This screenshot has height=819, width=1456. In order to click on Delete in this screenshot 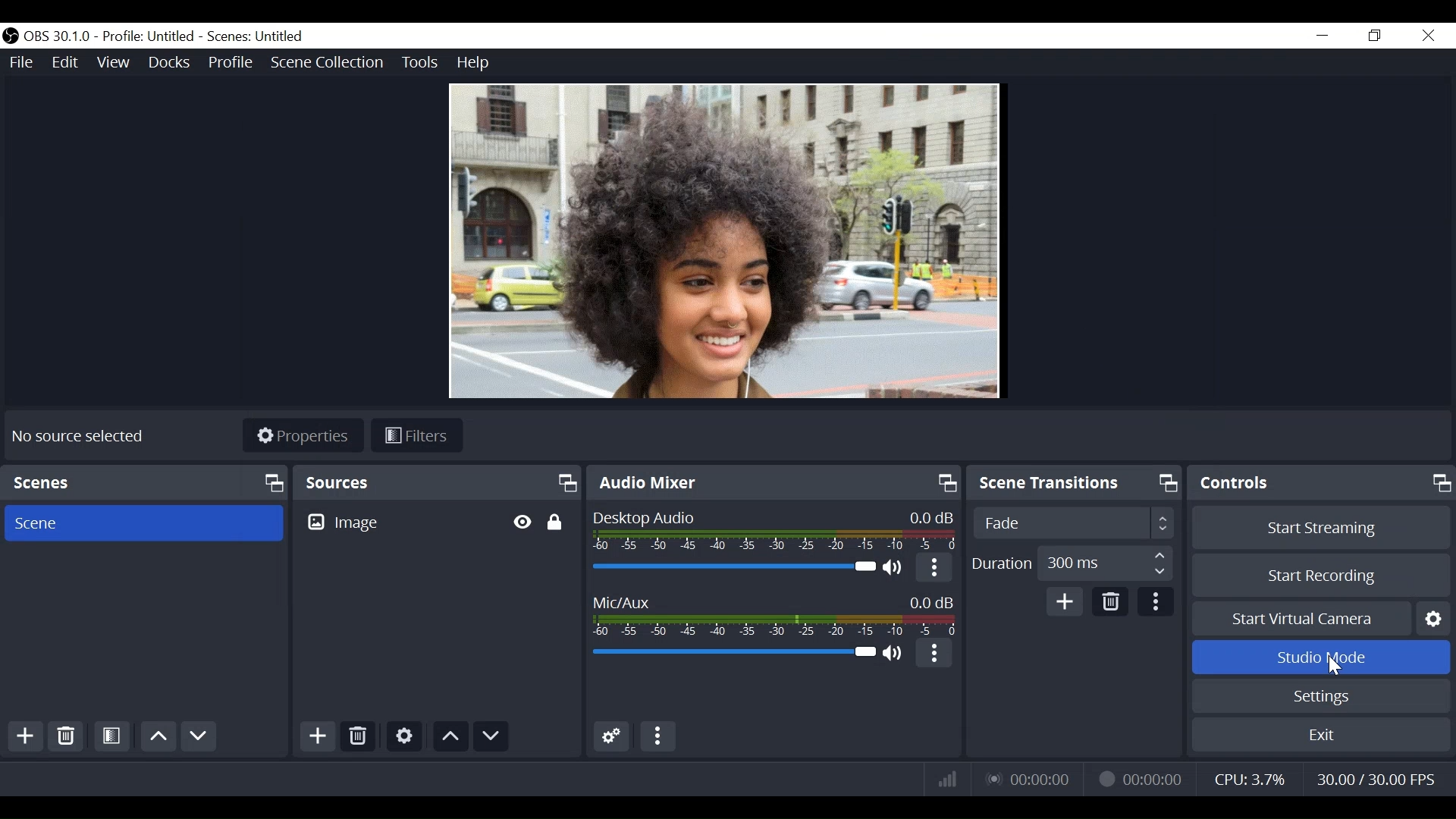, I will do `click(69, 737)`.